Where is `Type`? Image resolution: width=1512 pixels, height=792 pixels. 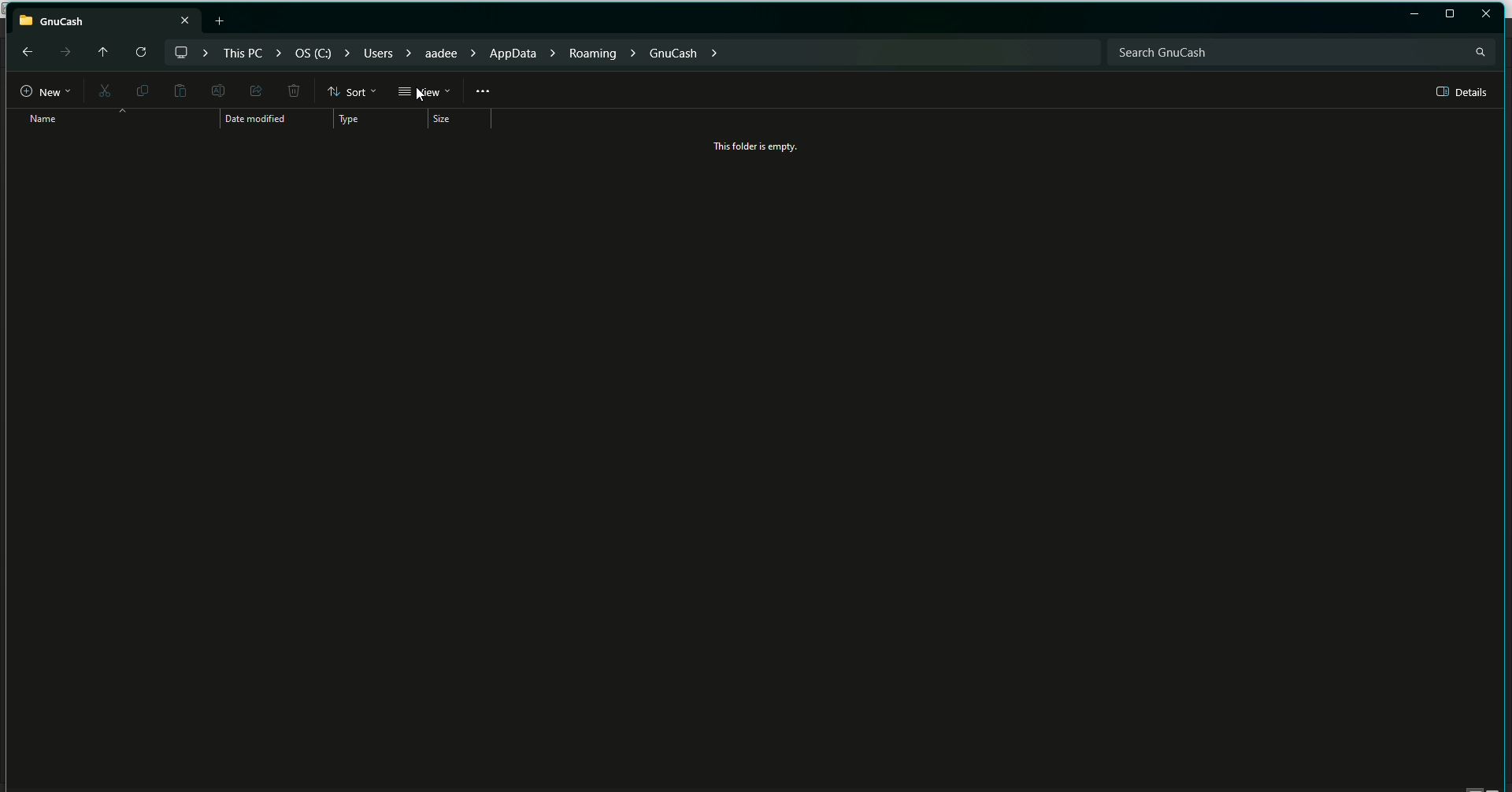
Type is located at coordinates (357, 120).